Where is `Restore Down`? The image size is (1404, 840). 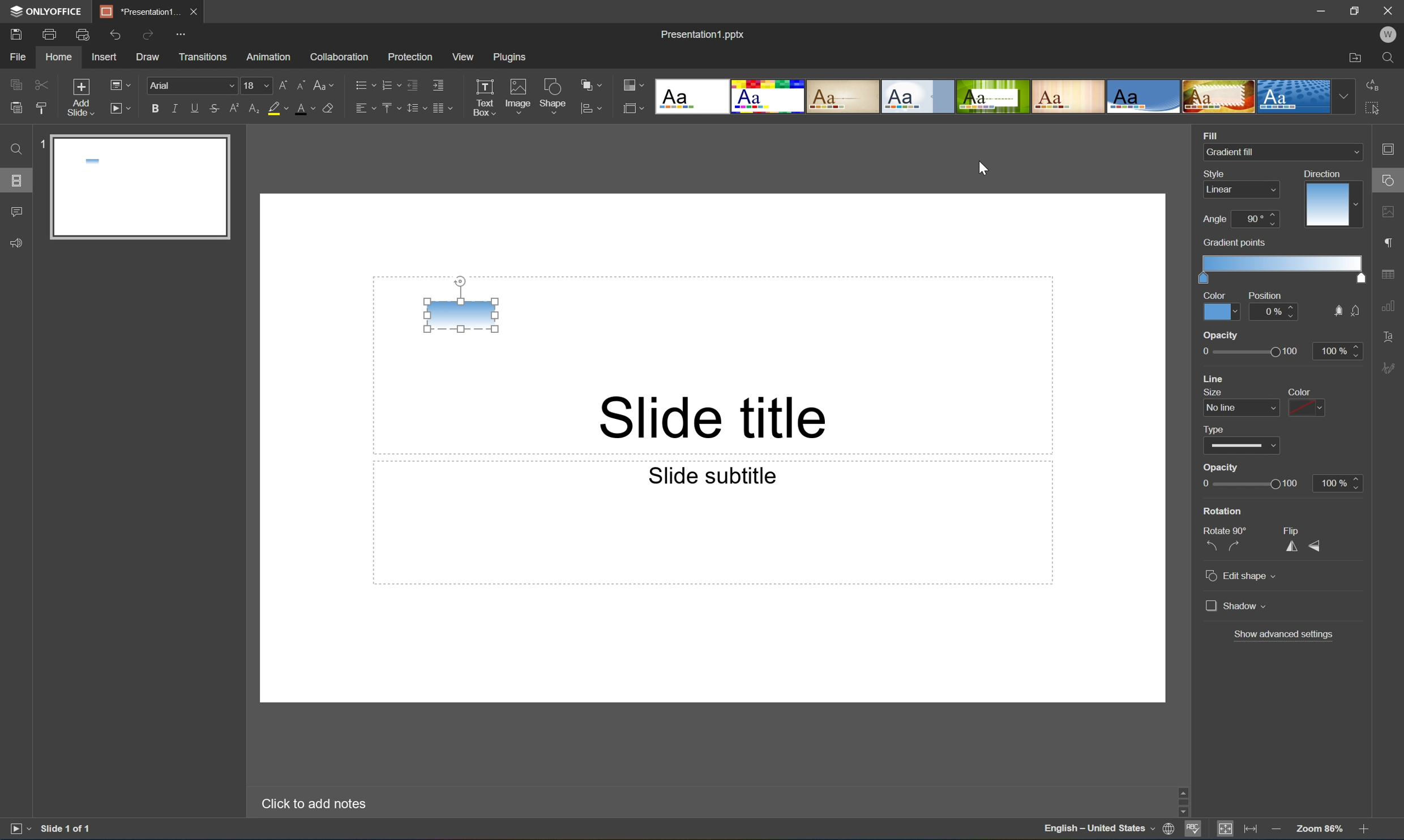 Restore Down is located at coordinates (1356, 9).